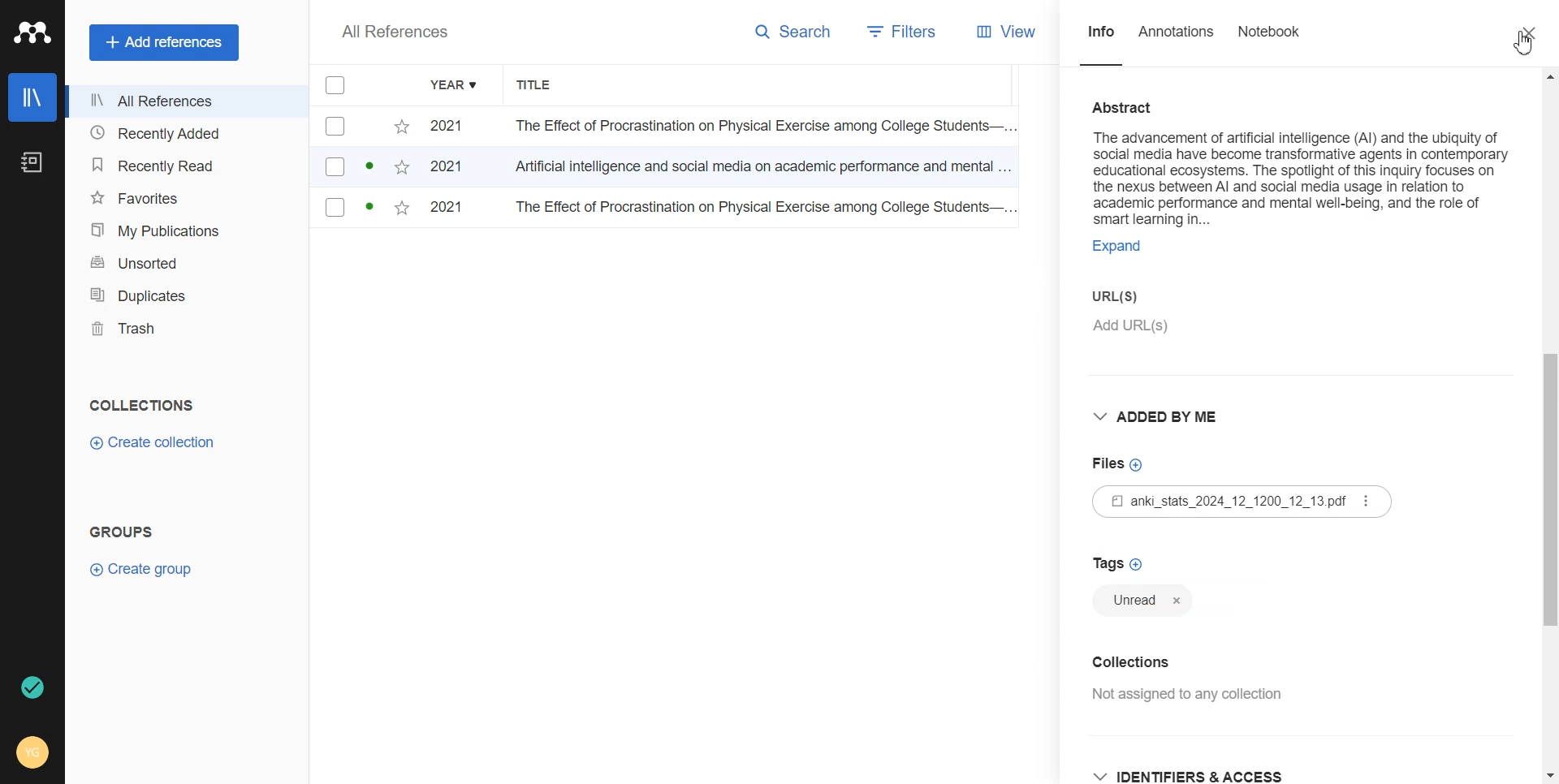 This screenshot has height=784, width=1559. I want to click on Abstract on the advancement of artificial intelligence (AI) and the ubiquity of social media have become transformative agents in contemporary educational ecosystems., so click(1301, 157).